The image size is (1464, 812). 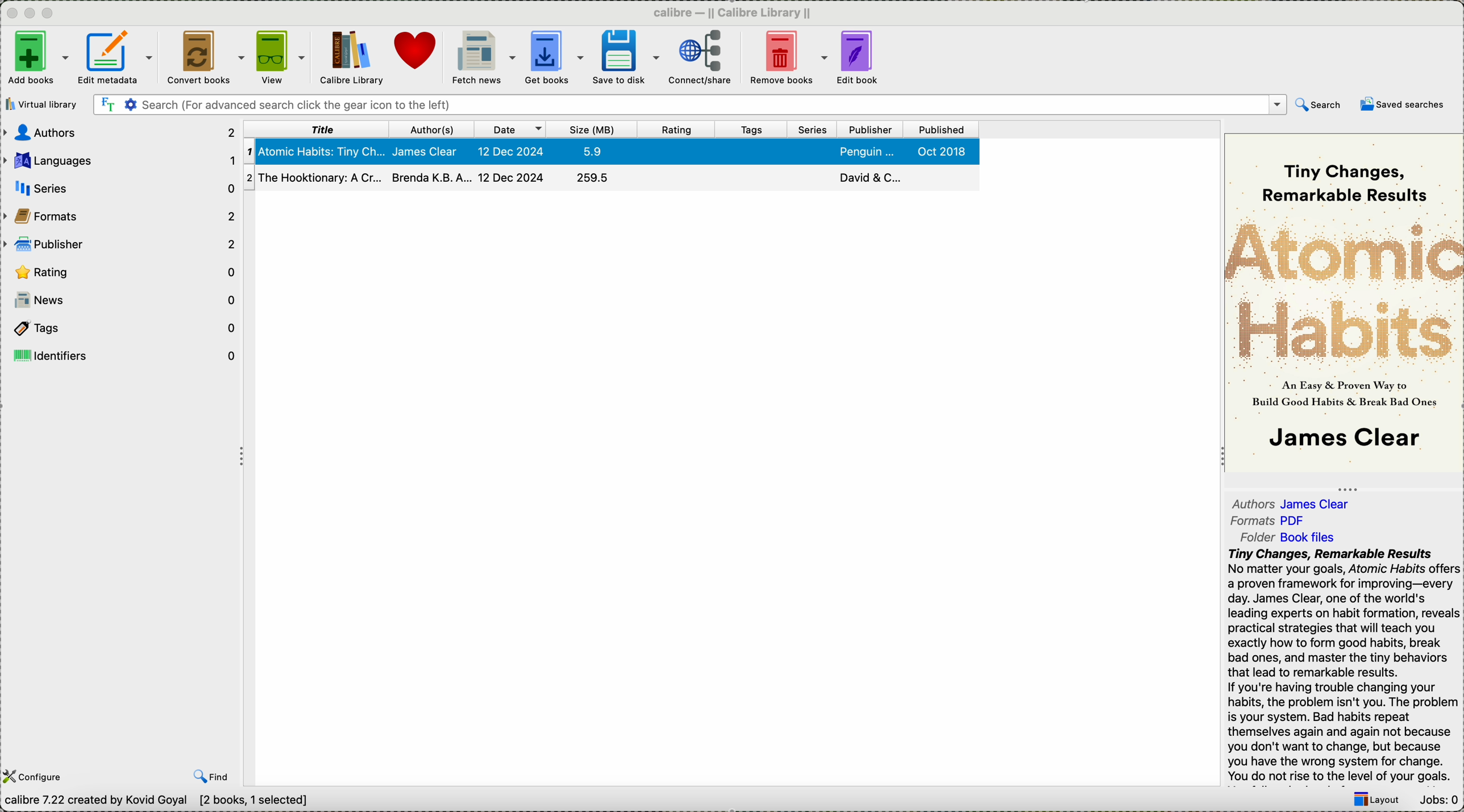 What do you see at coordinates (733, 11) in the screenshot?
I see `Calibre Calibre library` at bounding box center [733, 11].